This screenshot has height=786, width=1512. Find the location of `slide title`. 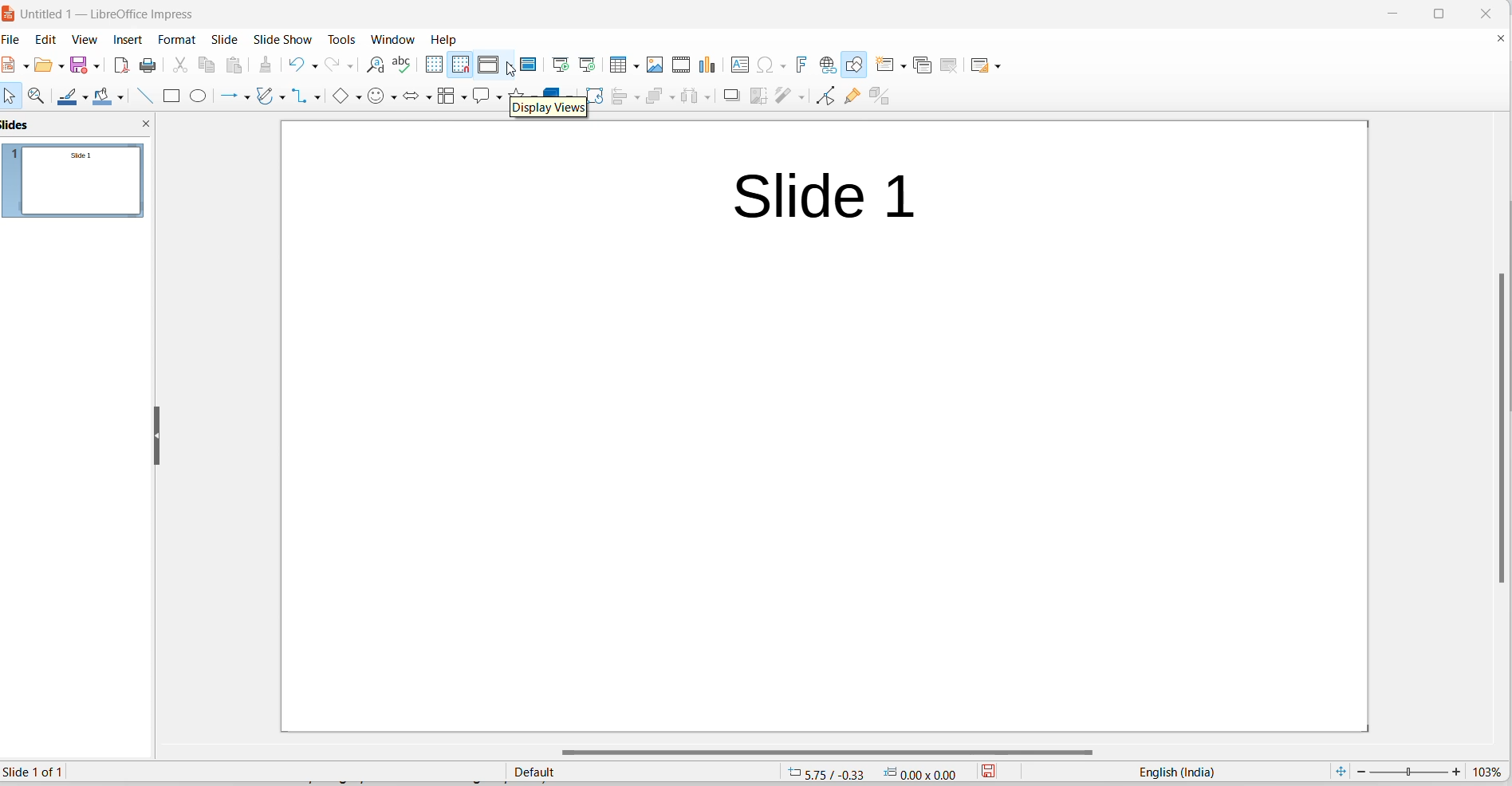

slide title is located at coordinates (825, 198).